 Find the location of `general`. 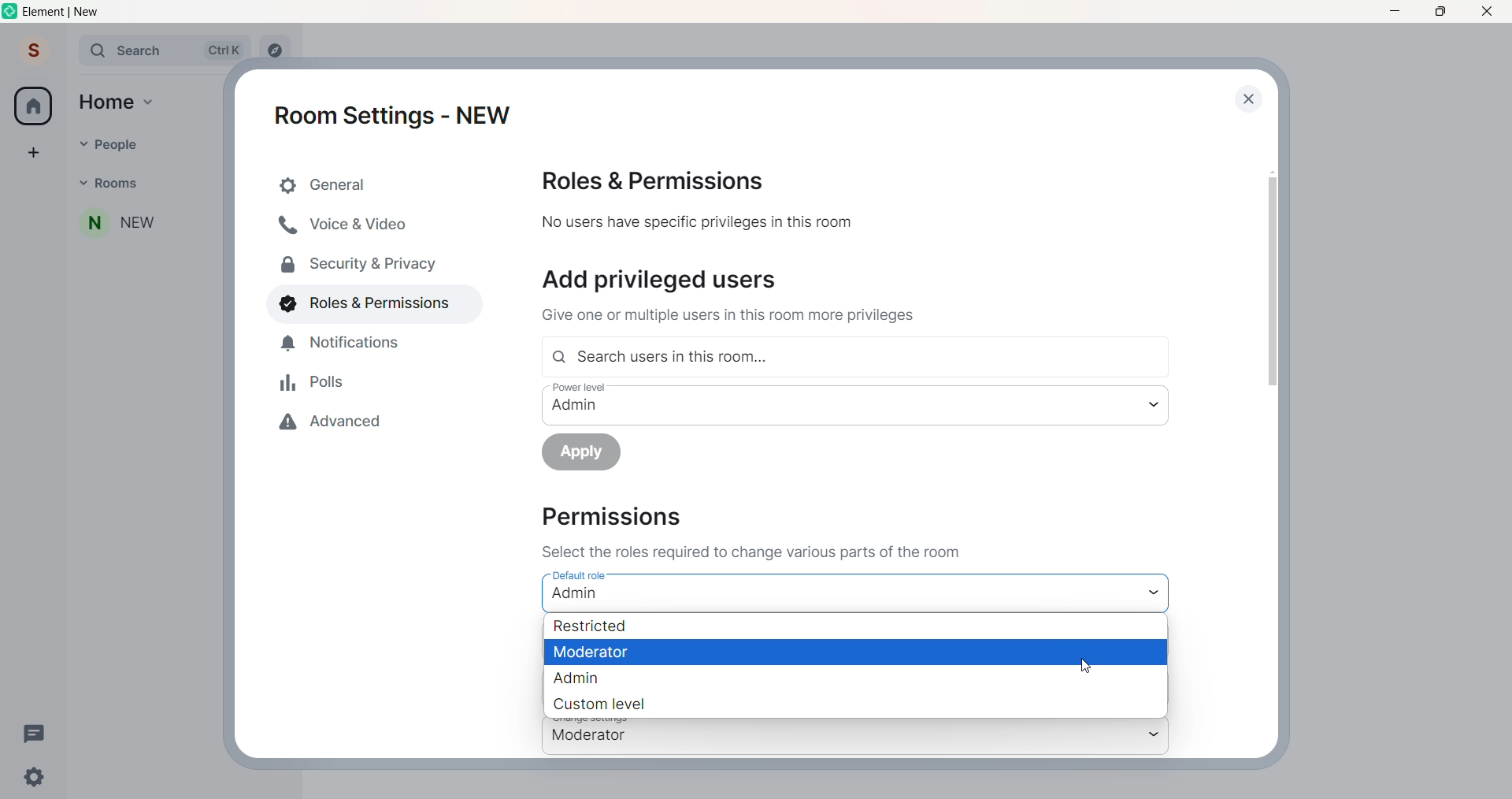

general is located at coordinates (376, 184).